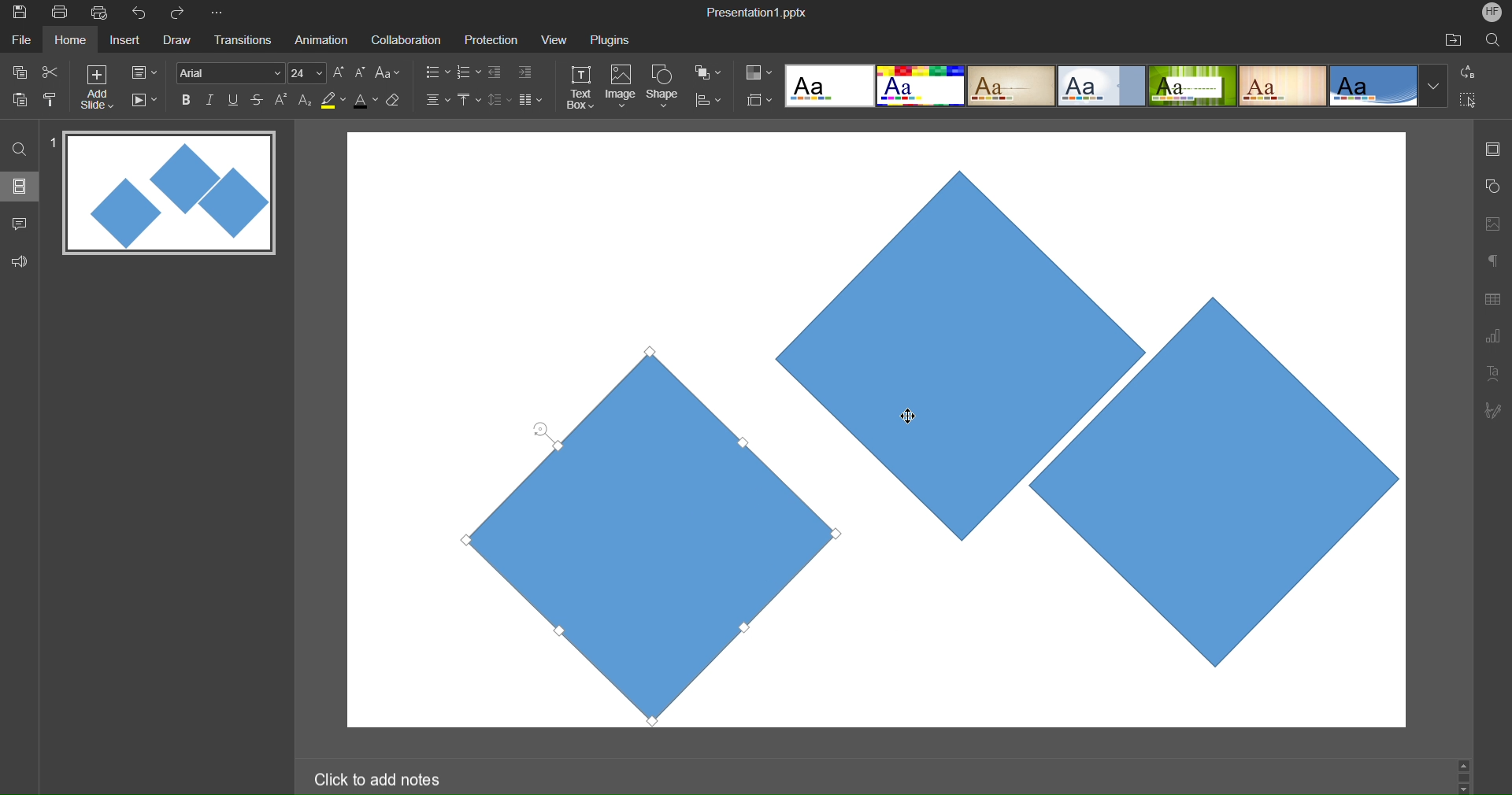 This screenshot has width=1512, height=795. What do you see at coordinates (102, 13) in the screenshot?
I see `Quick Print` at bounding box center [102, 13].